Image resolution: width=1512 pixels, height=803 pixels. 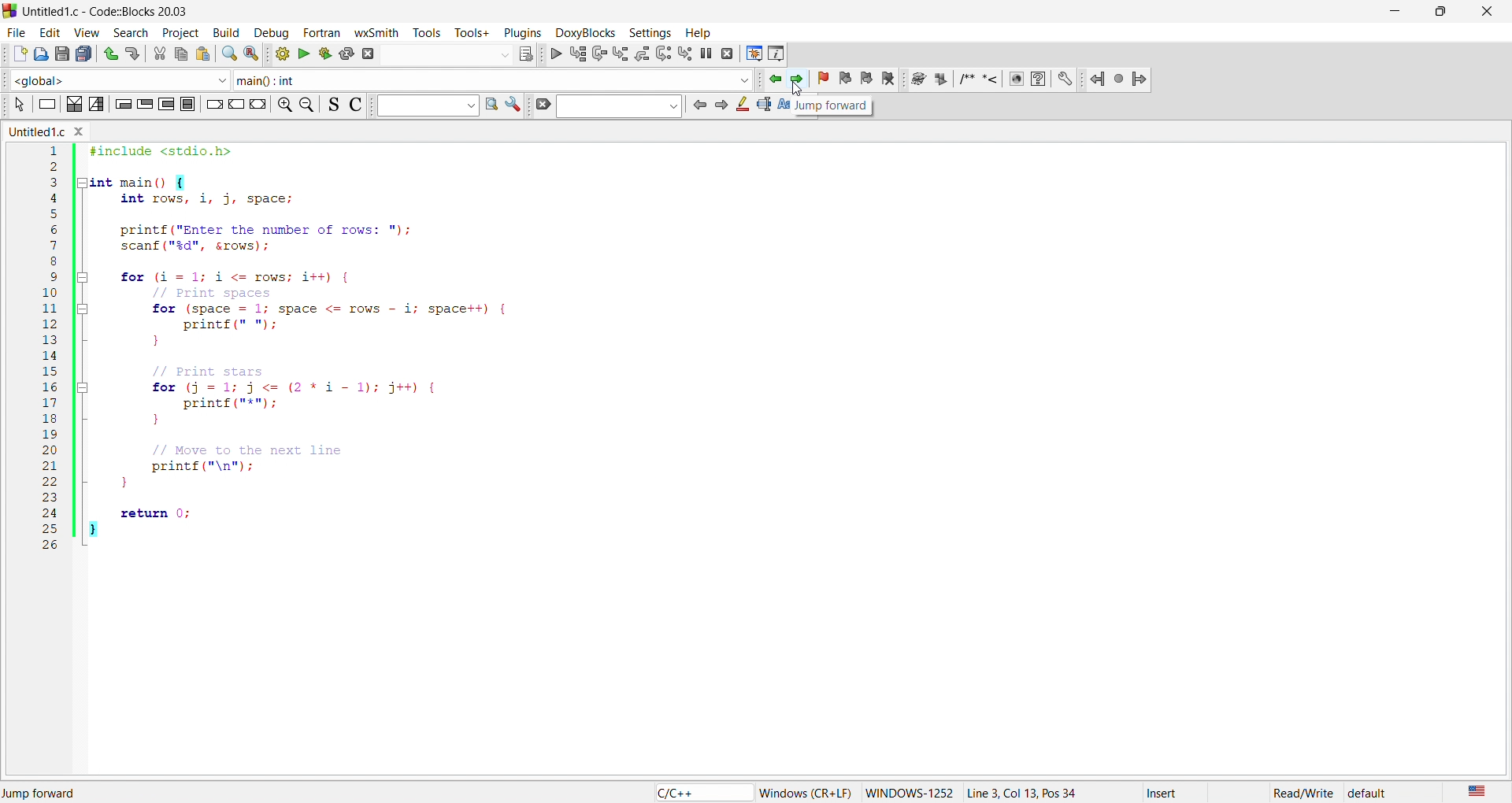 What do you see at coordinates (250, 54) in the screenshot?
I see `replace` at bounding box center [250, 54].